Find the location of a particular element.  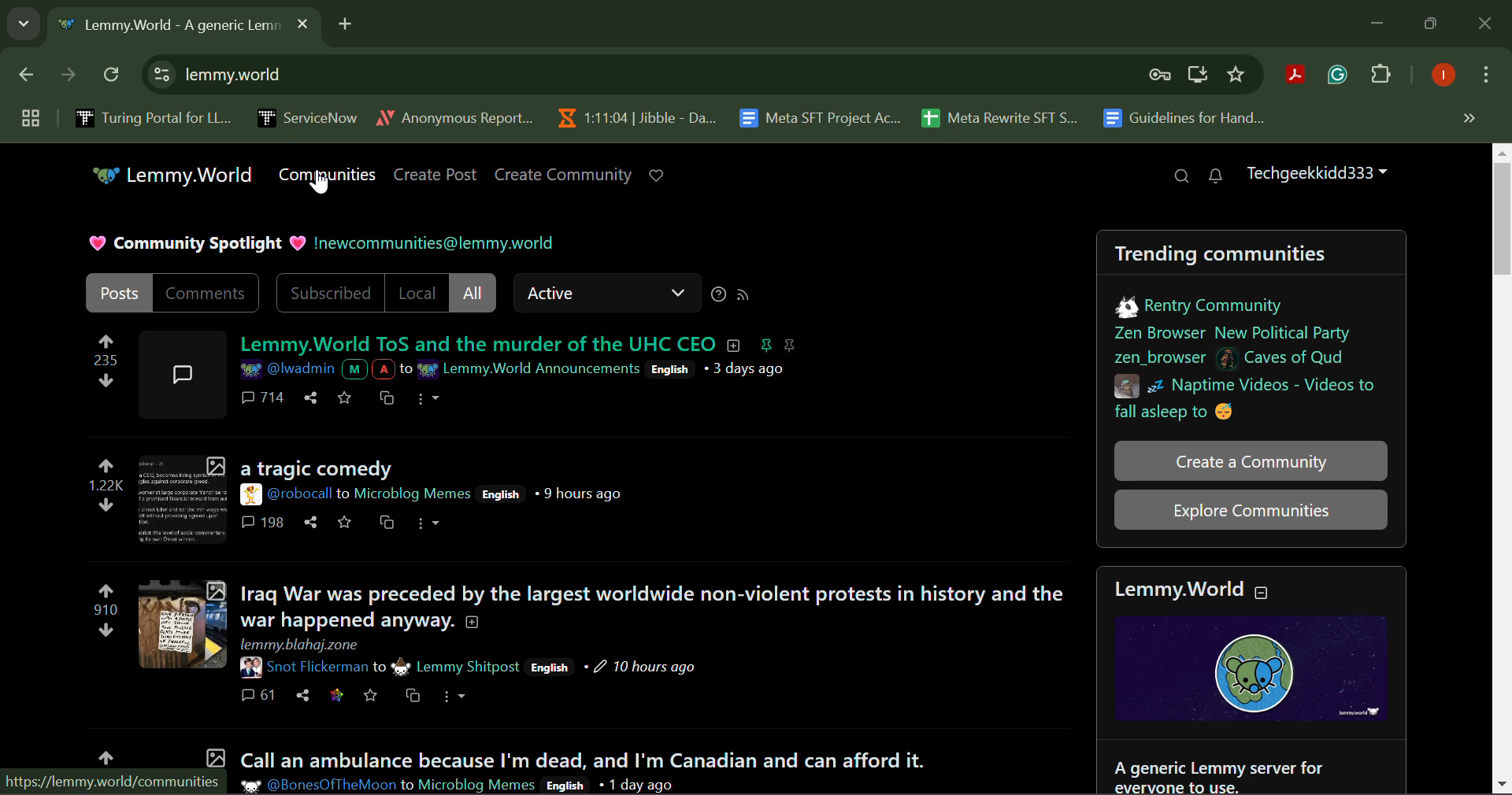

Webpage Link is located at coordinates (114, 784).